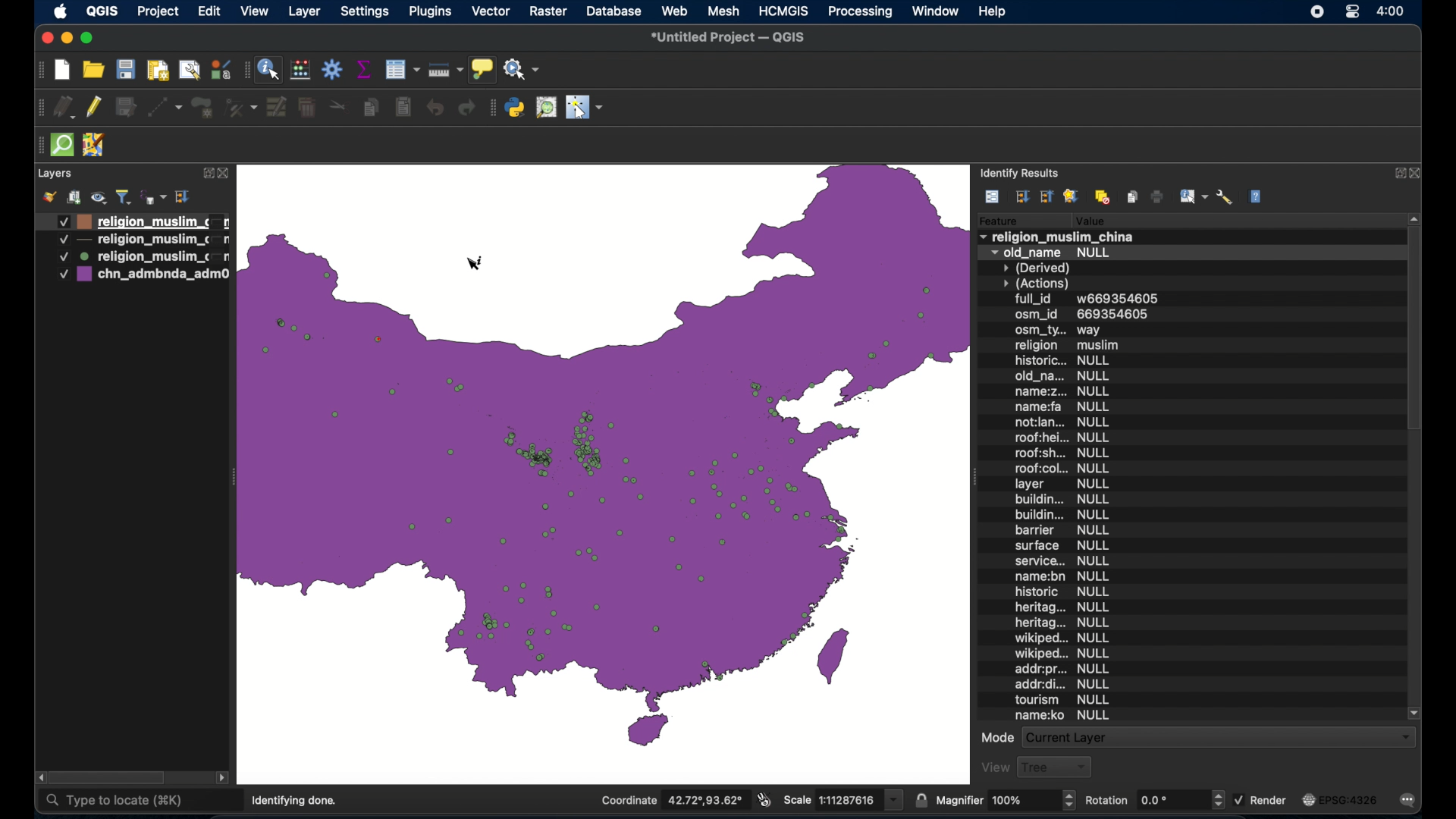 The height and width of the screenshot is (819, 1456). What do you see at coordinates (1062, 438) in the screenshot?
I see `roof` at bounding box center [1062, 438].